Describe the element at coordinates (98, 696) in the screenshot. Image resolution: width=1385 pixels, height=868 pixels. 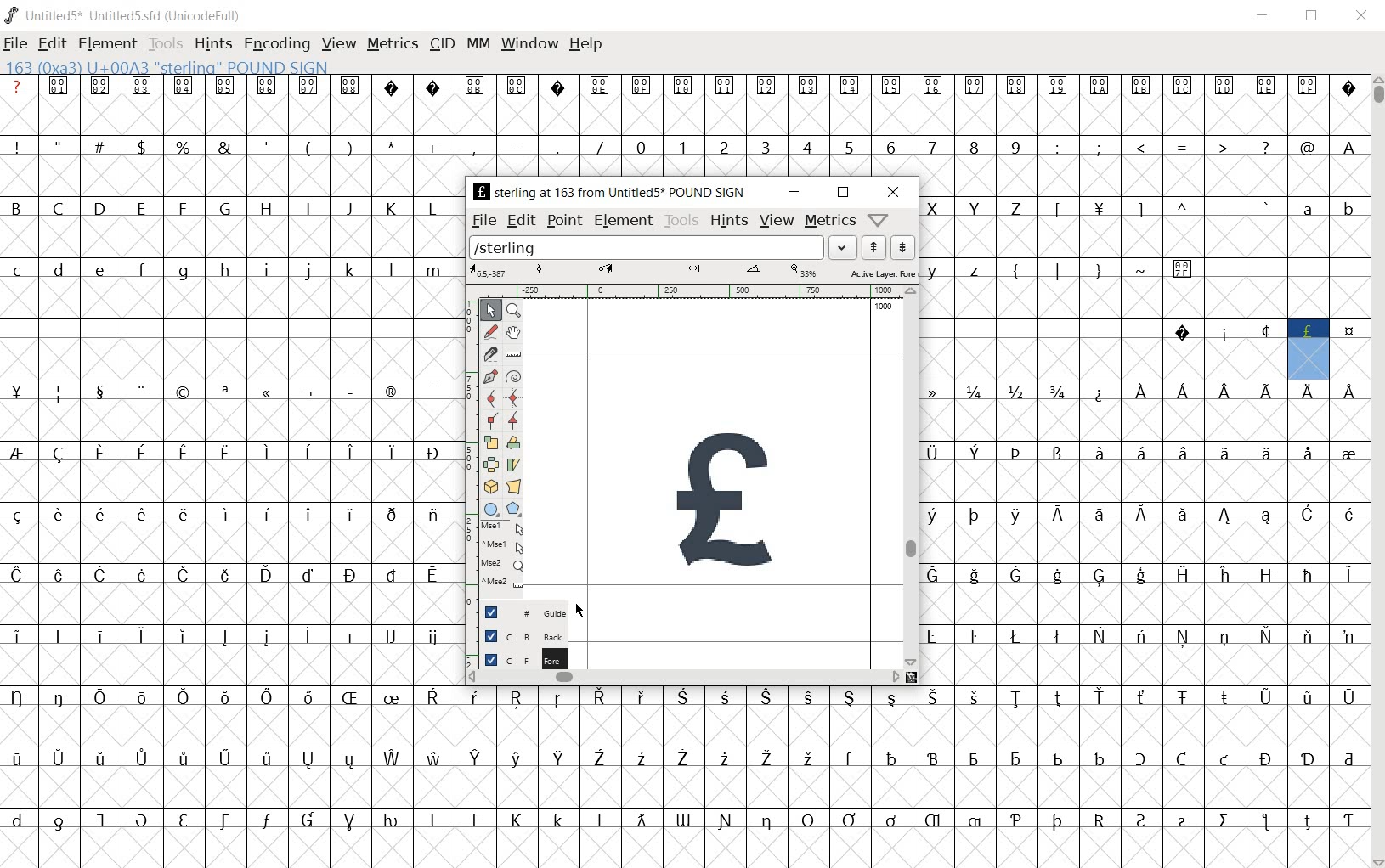
I see `Symbol` at that location.